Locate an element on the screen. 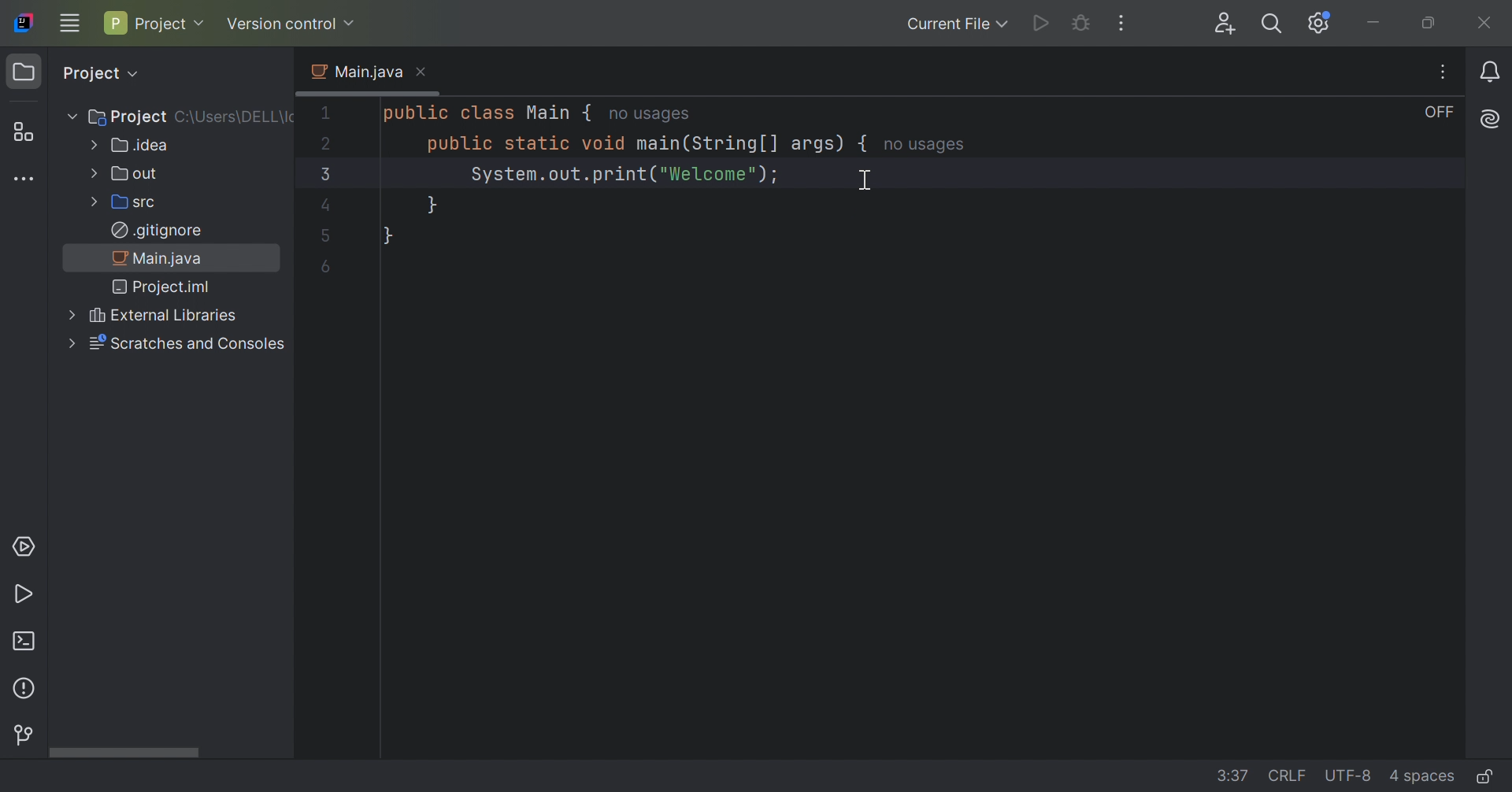 Image resolution: width=1512 pixels, height=792 pixels. 6 is located at coordinates (325, 267).